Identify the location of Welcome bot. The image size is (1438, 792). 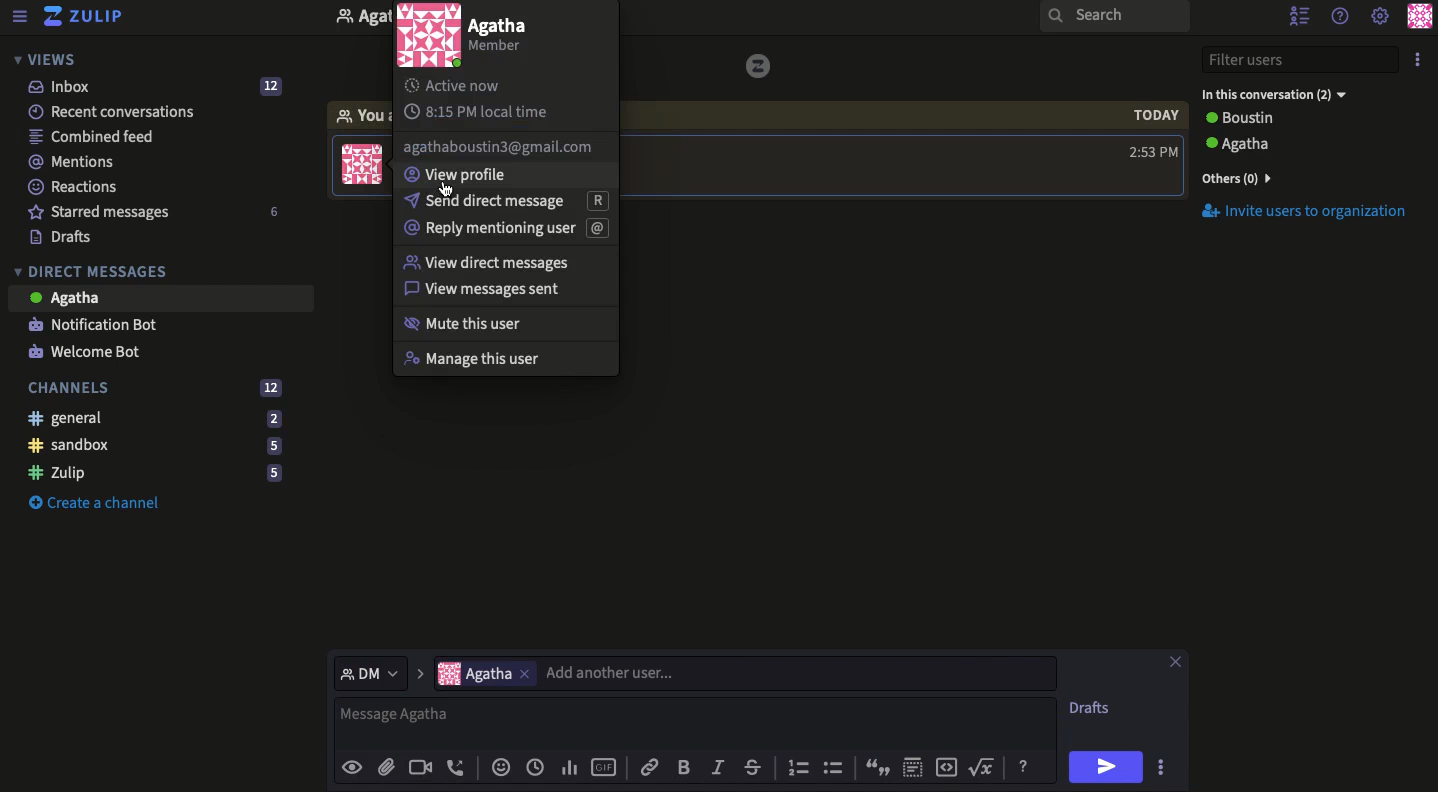
(93, 351).